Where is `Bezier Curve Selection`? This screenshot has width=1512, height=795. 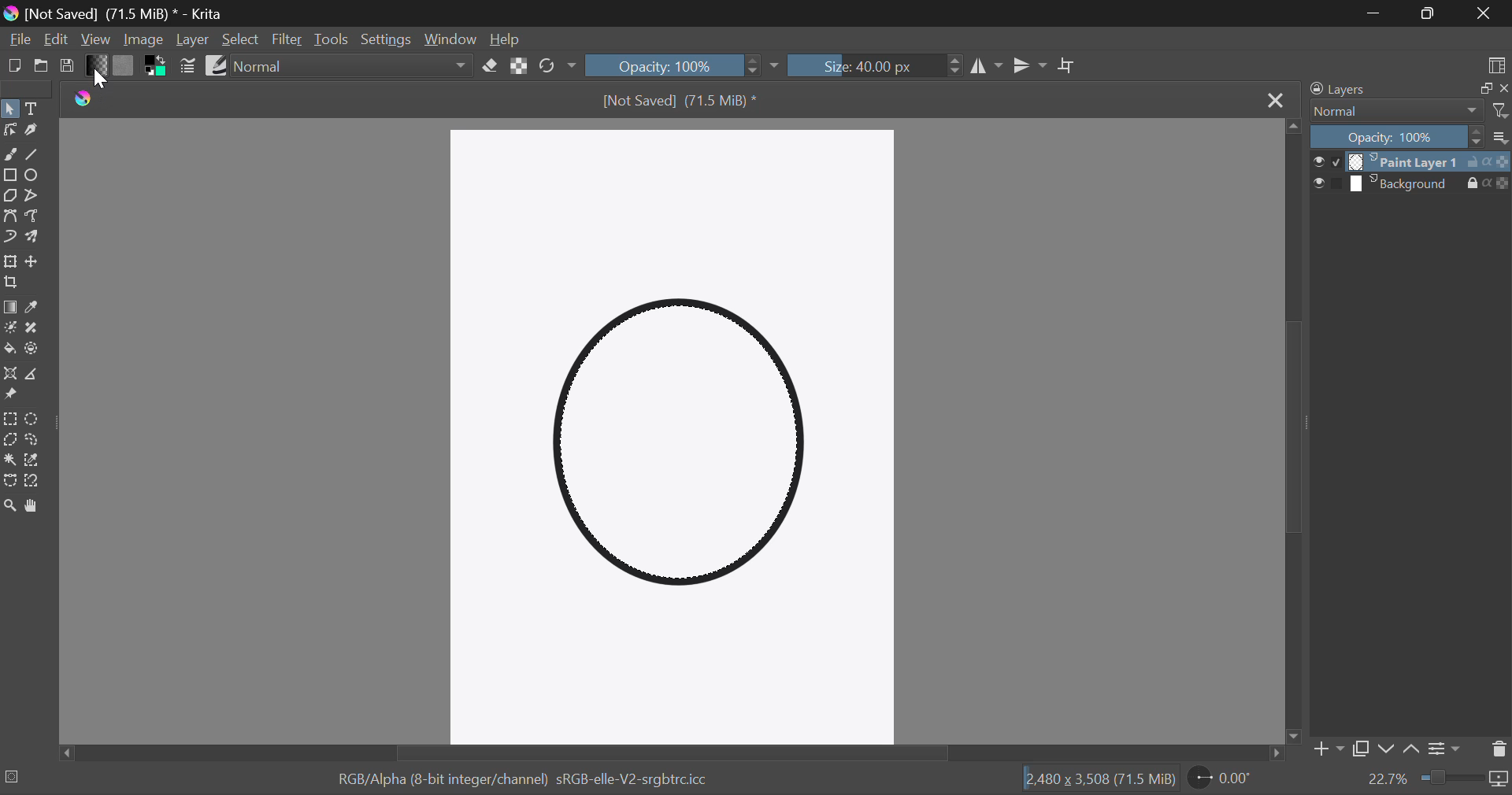 Bezier Curve Selection is located at coordinates (10, 483).